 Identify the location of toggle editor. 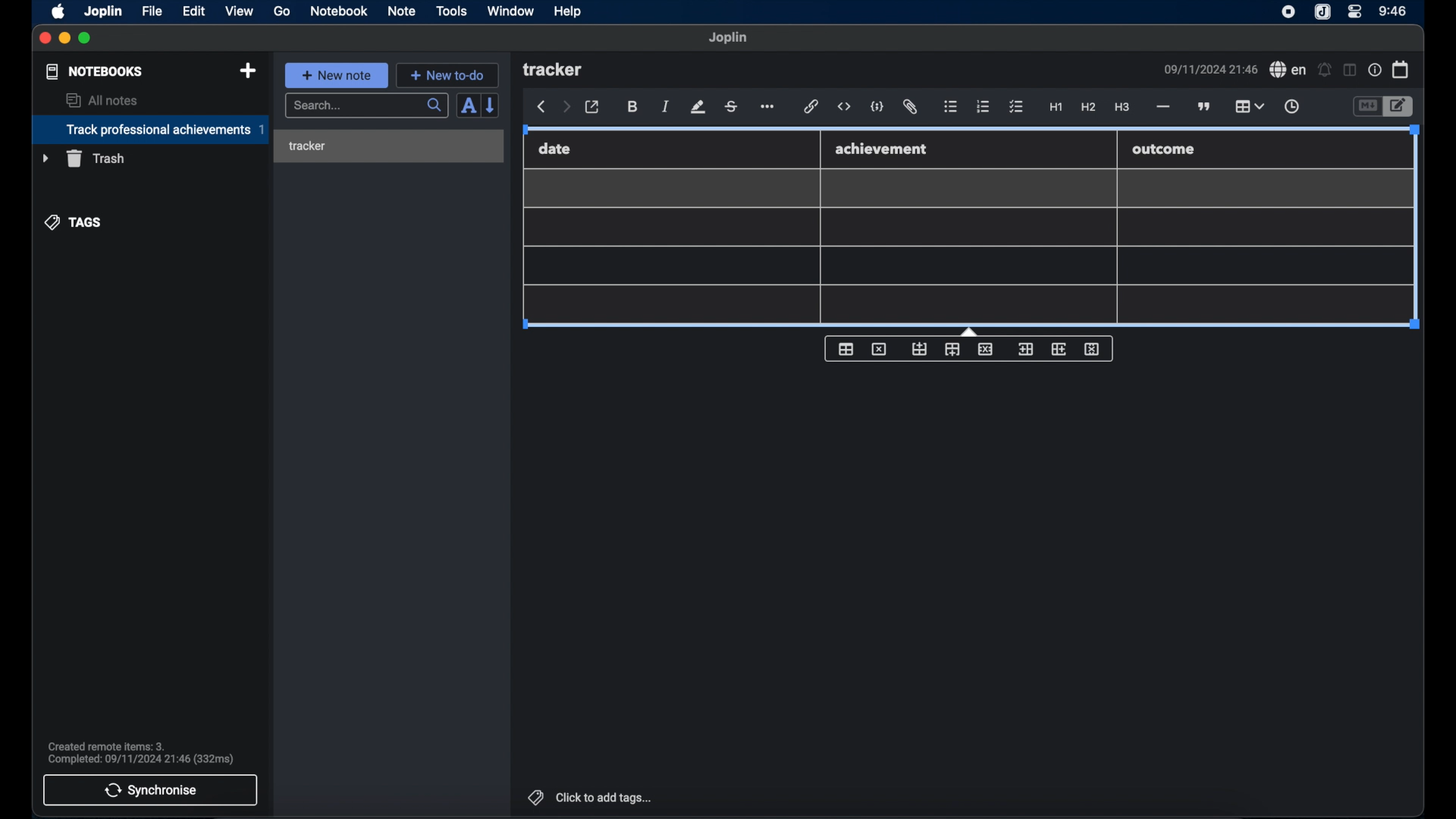
(1366, 106).